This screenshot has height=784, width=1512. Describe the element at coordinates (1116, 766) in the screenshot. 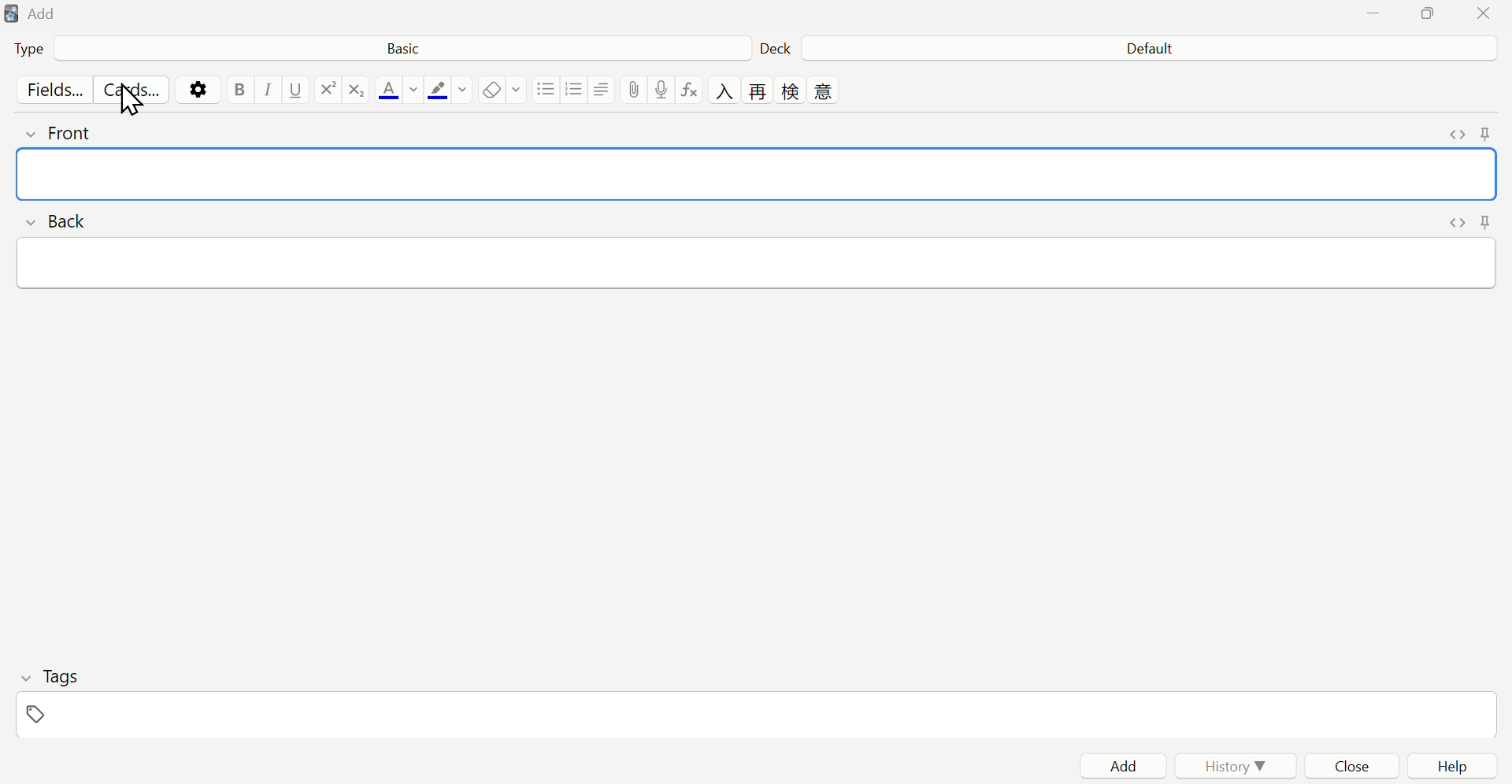

I see `Add` at that location.